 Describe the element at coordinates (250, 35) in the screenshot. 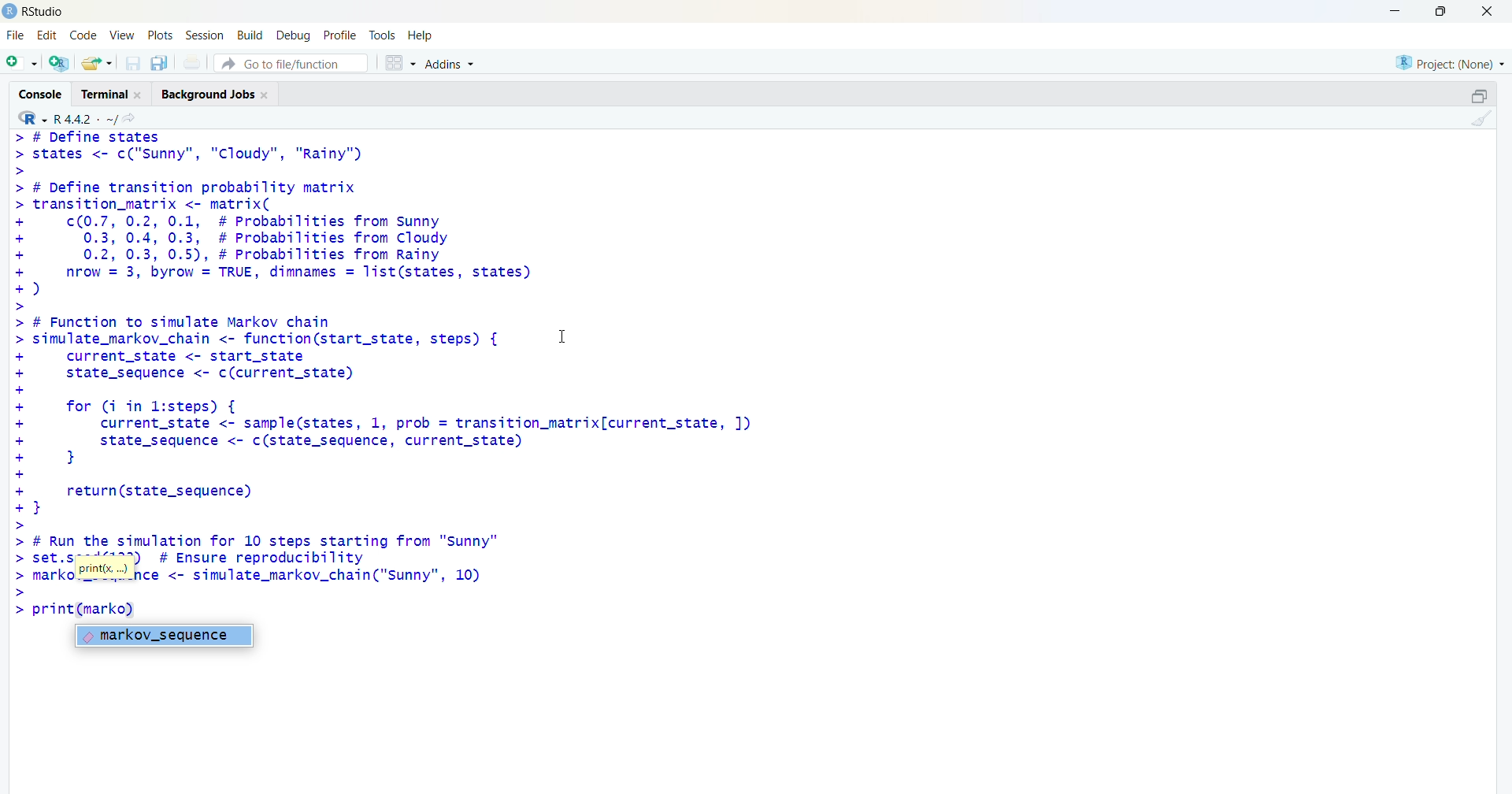

I see `build` at that location.